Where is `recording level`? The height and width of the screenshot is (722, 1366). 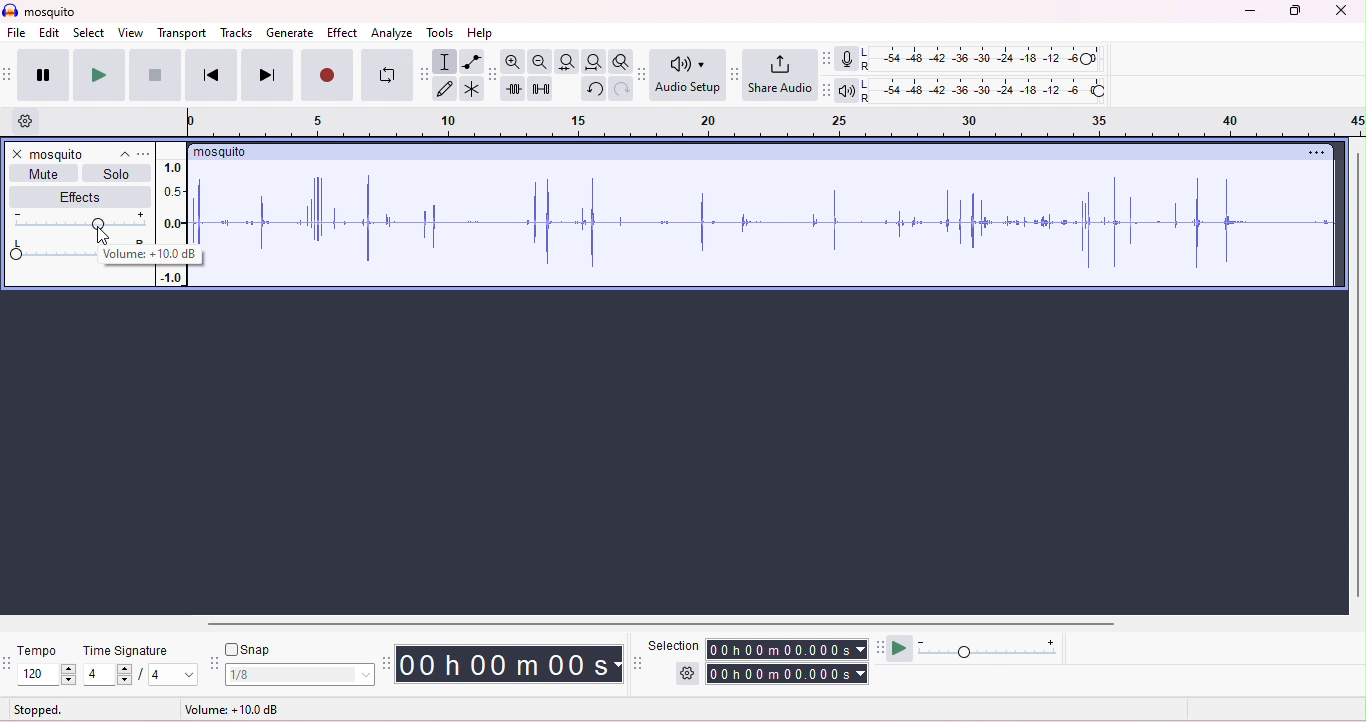 recording level is located at coordinates (985, 58).